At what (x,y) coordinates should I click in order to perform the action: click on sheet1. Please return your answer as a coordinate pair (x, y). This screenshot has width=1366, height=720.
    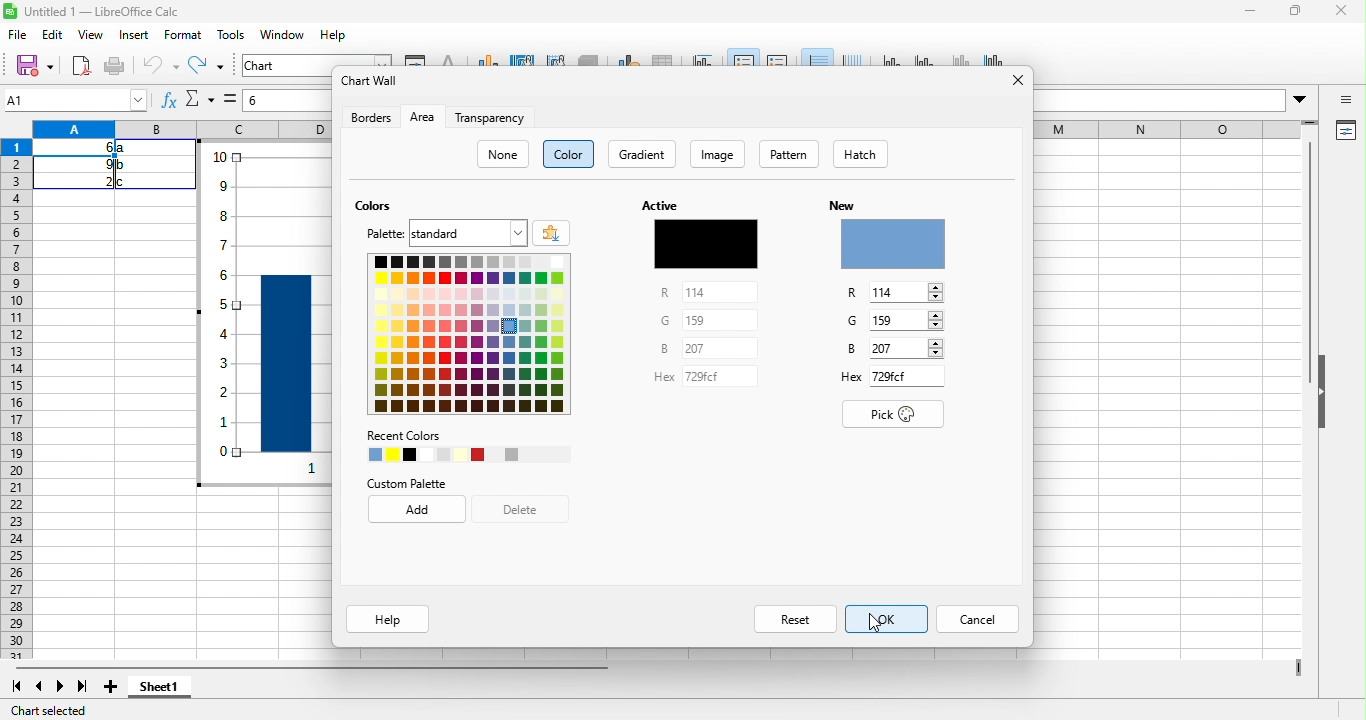
    Looking at the image, I should click on (180, 692).